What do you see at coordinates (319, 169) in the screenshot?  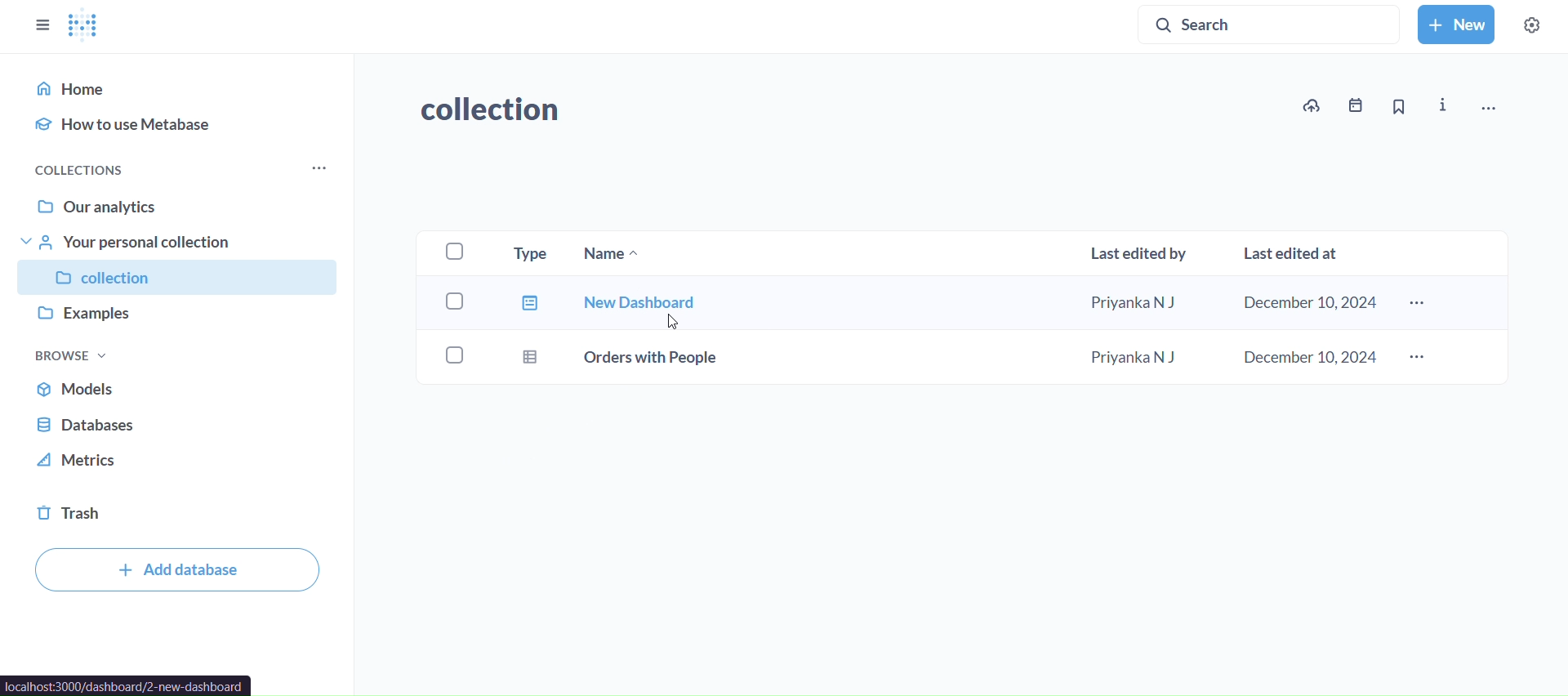 I see `more` at bounding box center [319, 169].